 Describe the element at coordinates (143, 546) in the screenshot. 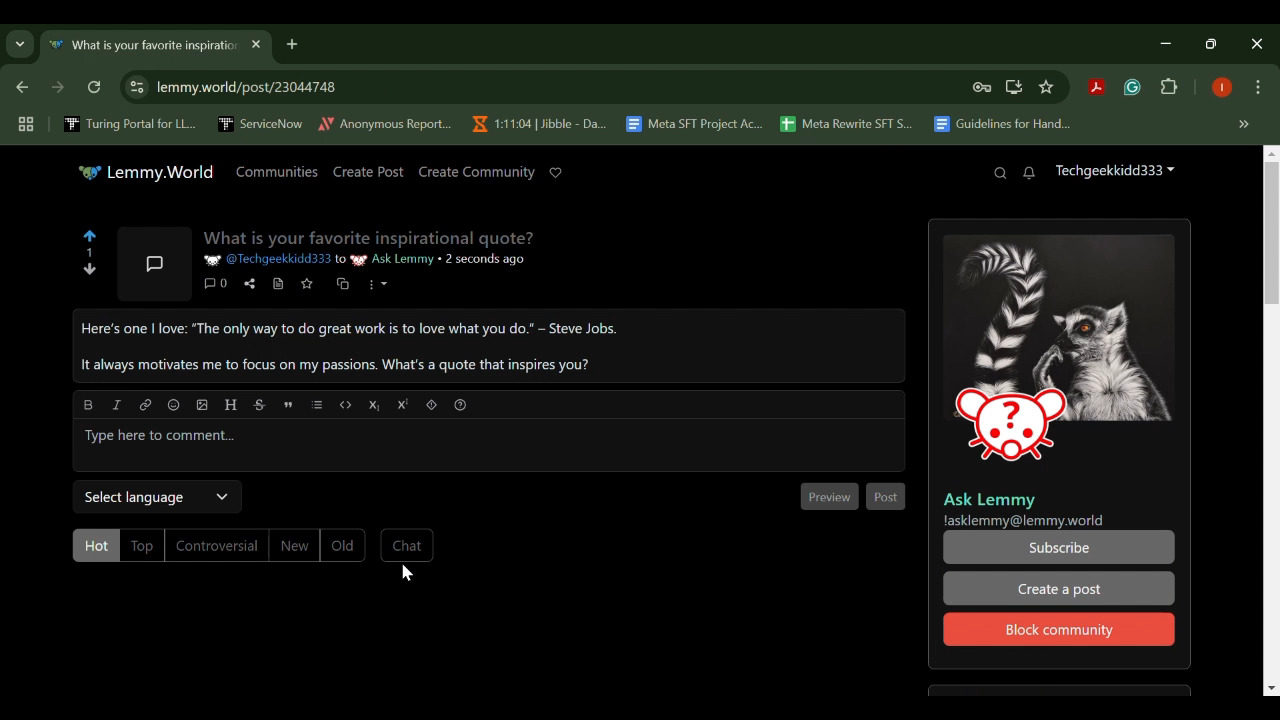

I see `Top` at that location.